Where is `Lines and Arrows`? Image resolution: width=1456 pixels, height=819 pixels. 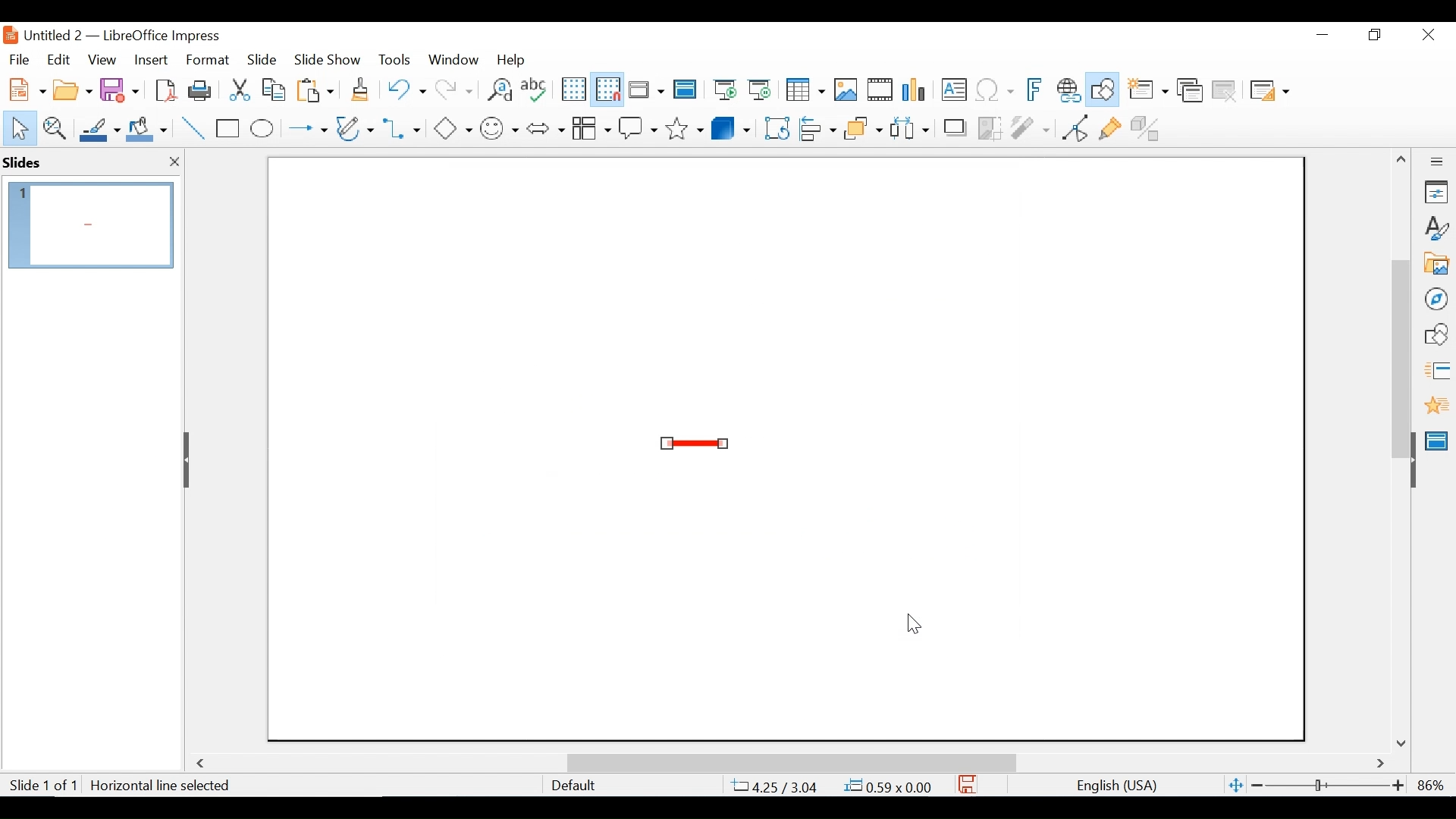
Lines and Arrows is located at coordinates (304, 129).